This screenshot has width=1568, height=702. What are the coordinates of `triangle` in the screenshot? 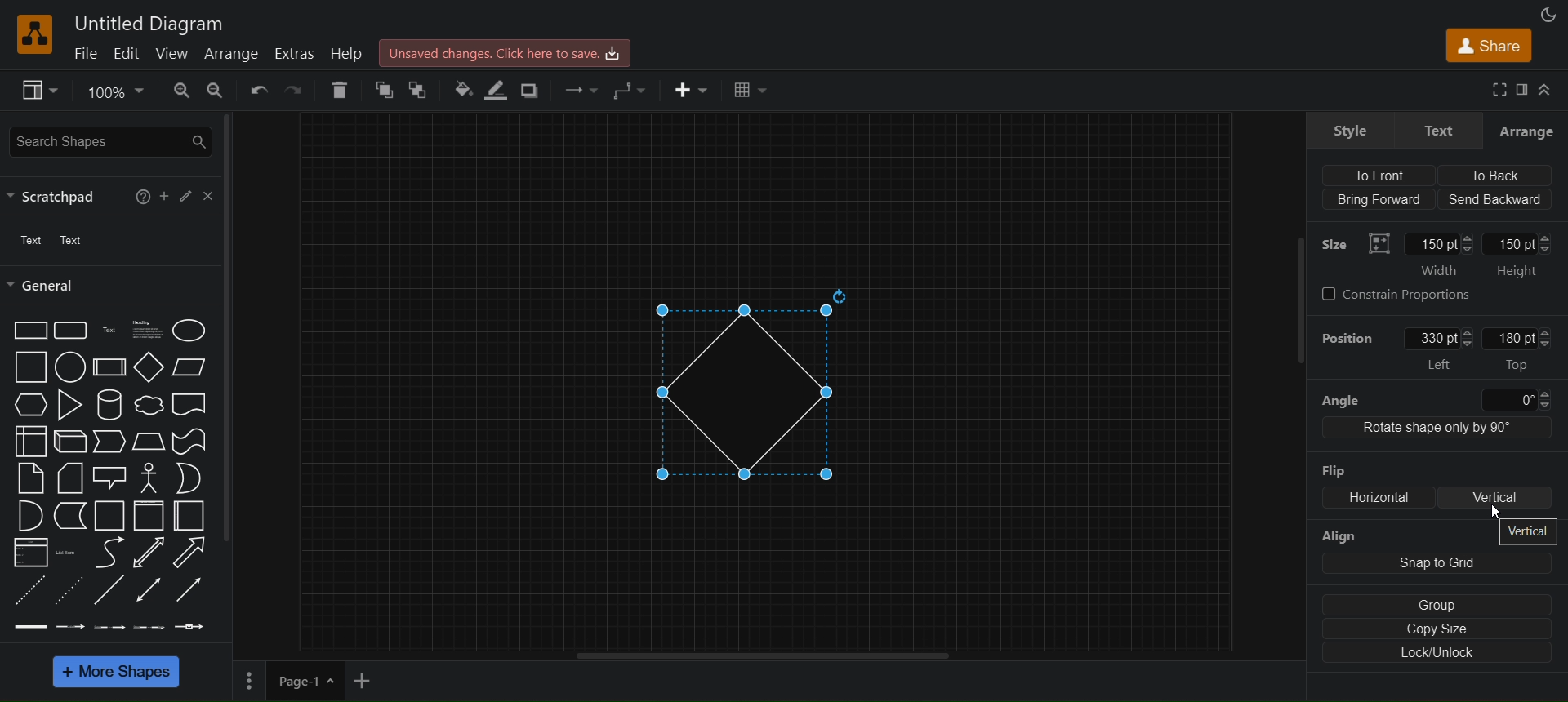 It's located at (68, 402).